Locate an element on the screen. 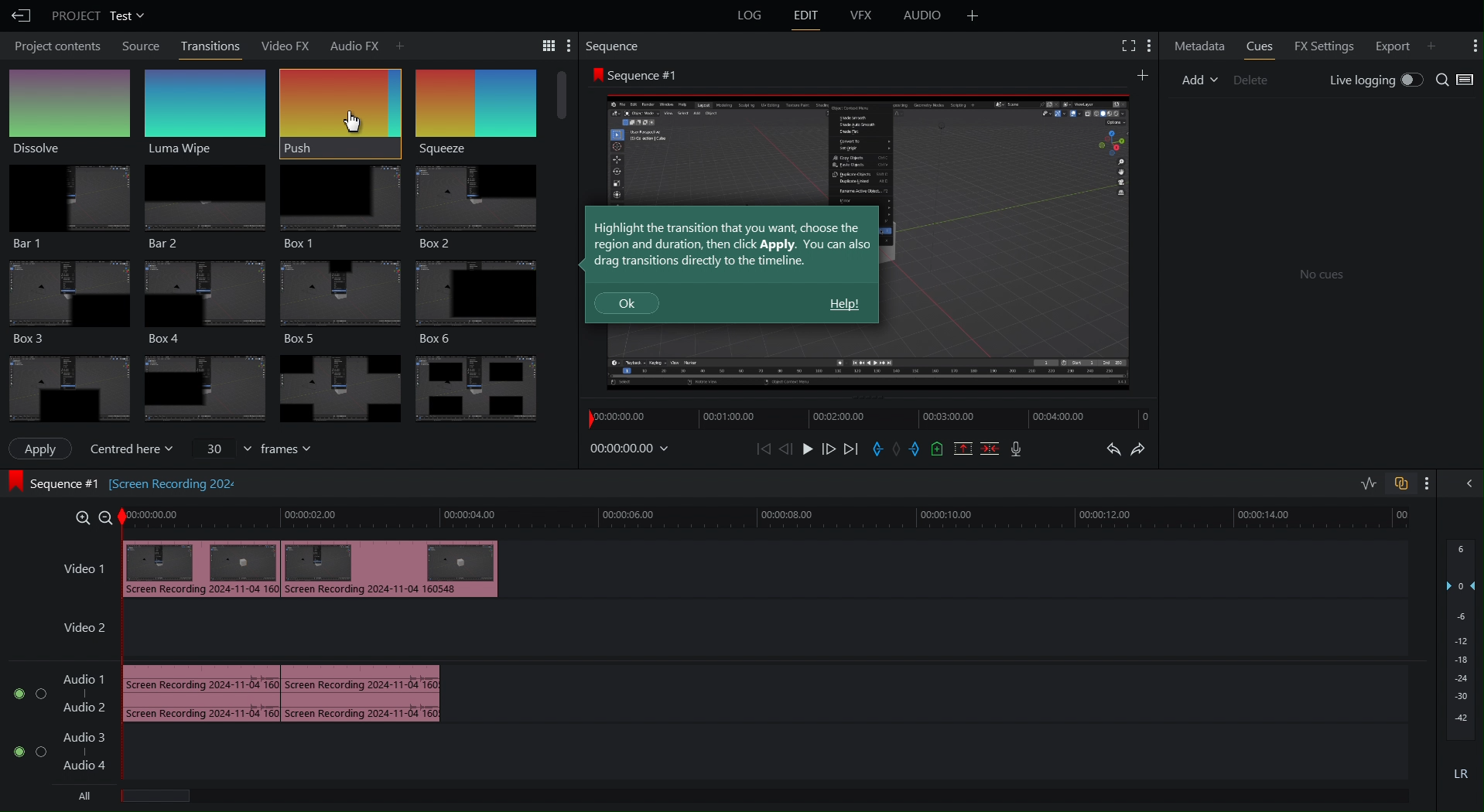 The height and width of the screenshot is (812, 1484). All is located at coordinates (89, 798).